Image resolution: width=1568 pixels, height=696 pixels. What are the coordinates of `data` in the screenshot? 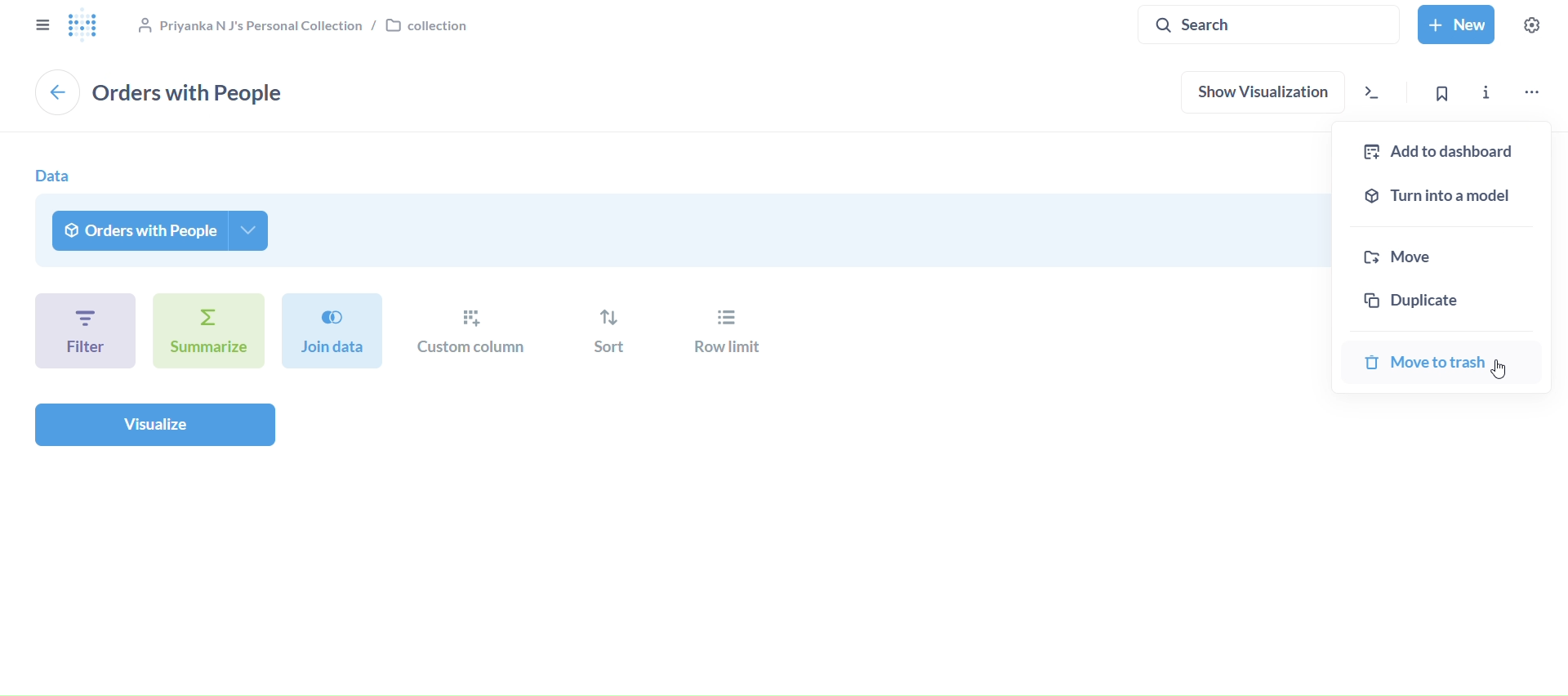 It's located at (51, 175).